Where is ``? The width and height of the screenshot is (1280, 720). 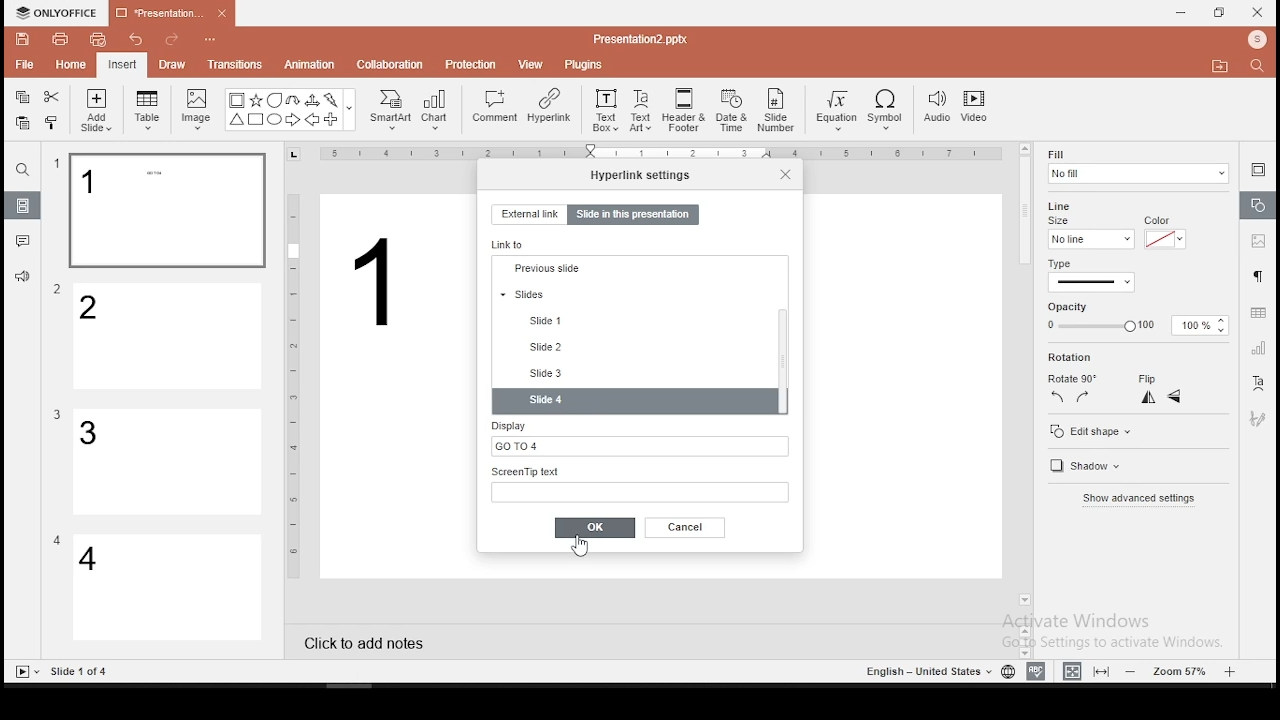  is located at coordinates (57, 415).